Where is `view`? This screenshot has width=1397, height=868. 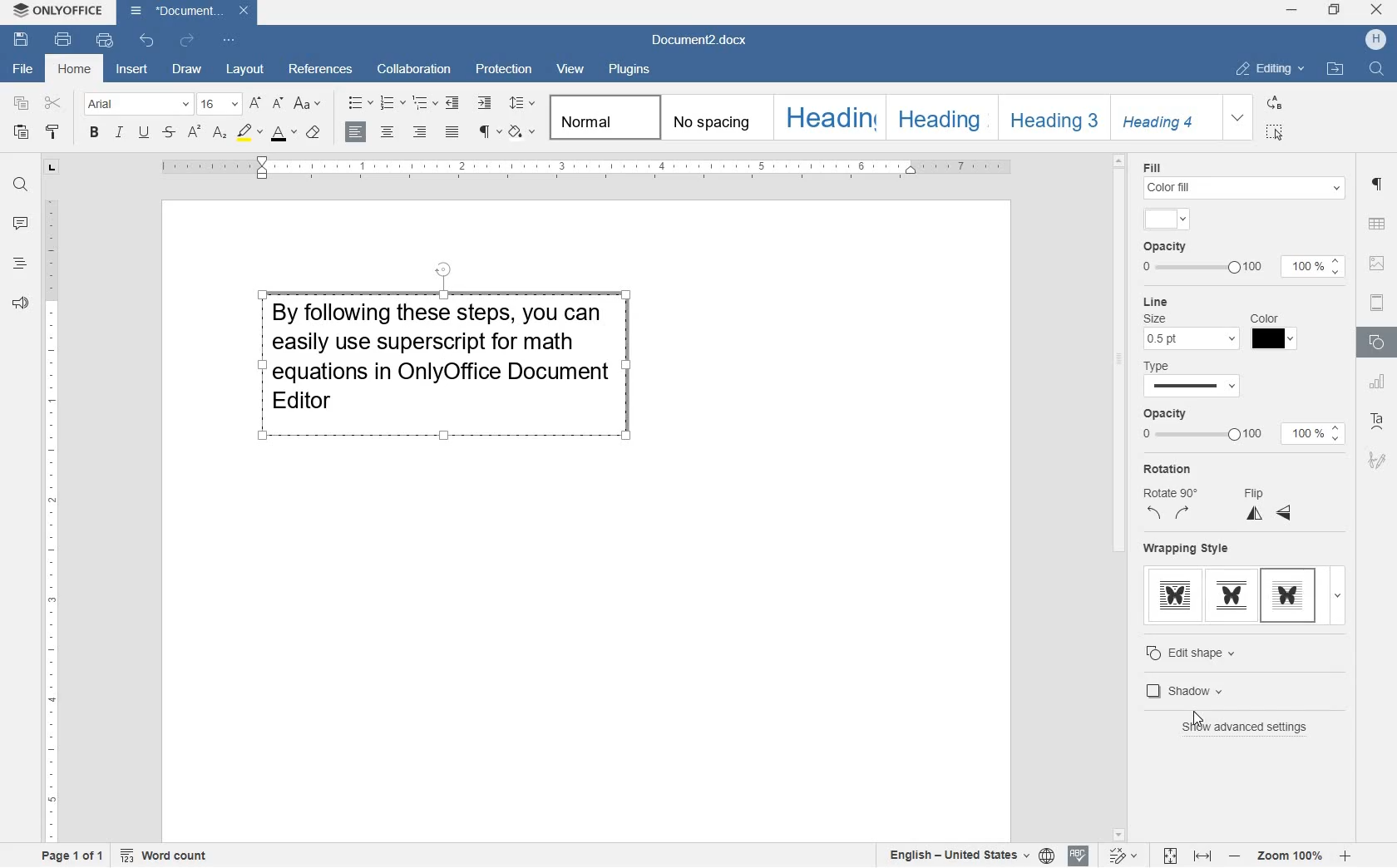
view is located at coordinates (571, 70).